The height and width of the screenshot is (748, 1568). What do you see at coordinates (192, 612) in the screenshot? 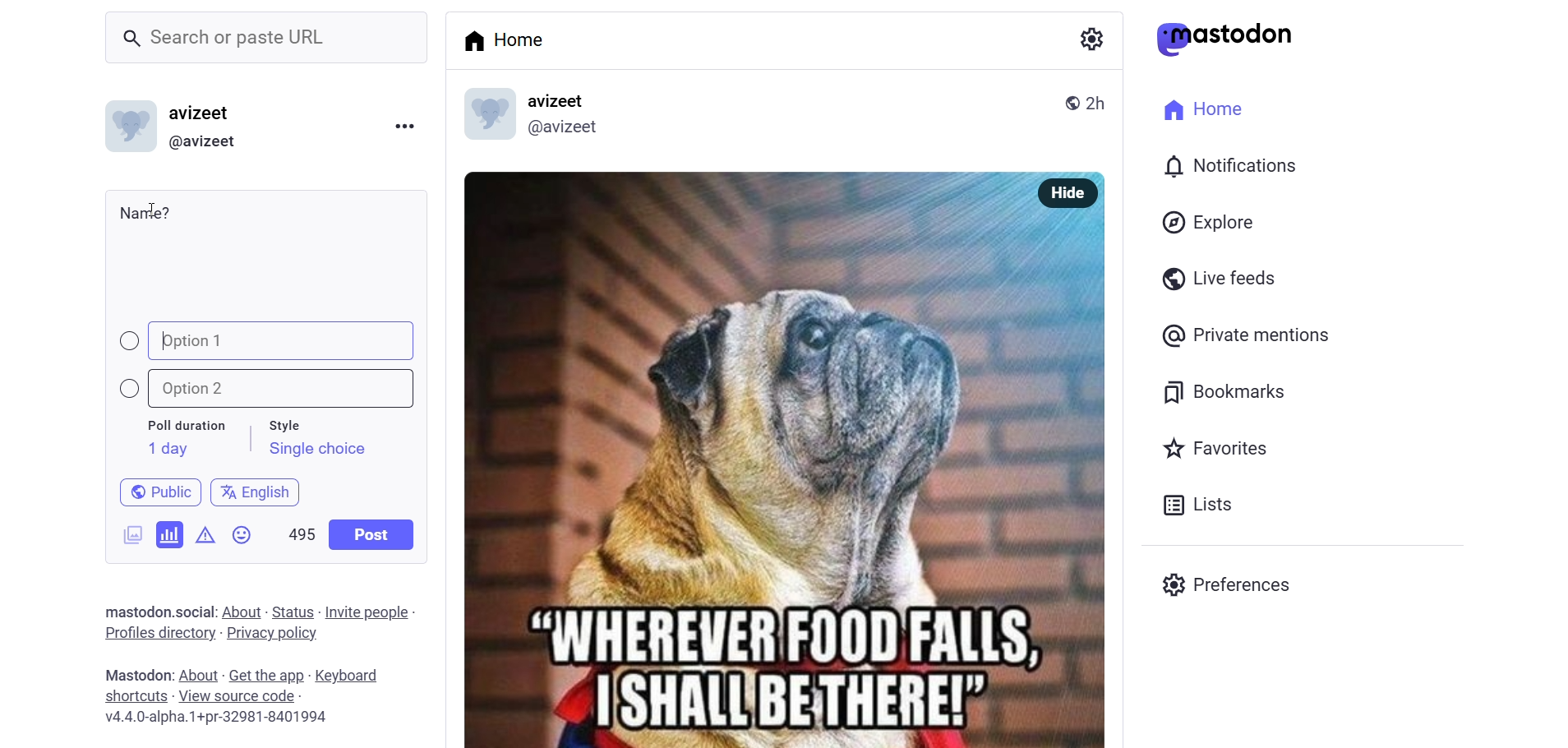
I see `social` at bounding box center [192, 612].